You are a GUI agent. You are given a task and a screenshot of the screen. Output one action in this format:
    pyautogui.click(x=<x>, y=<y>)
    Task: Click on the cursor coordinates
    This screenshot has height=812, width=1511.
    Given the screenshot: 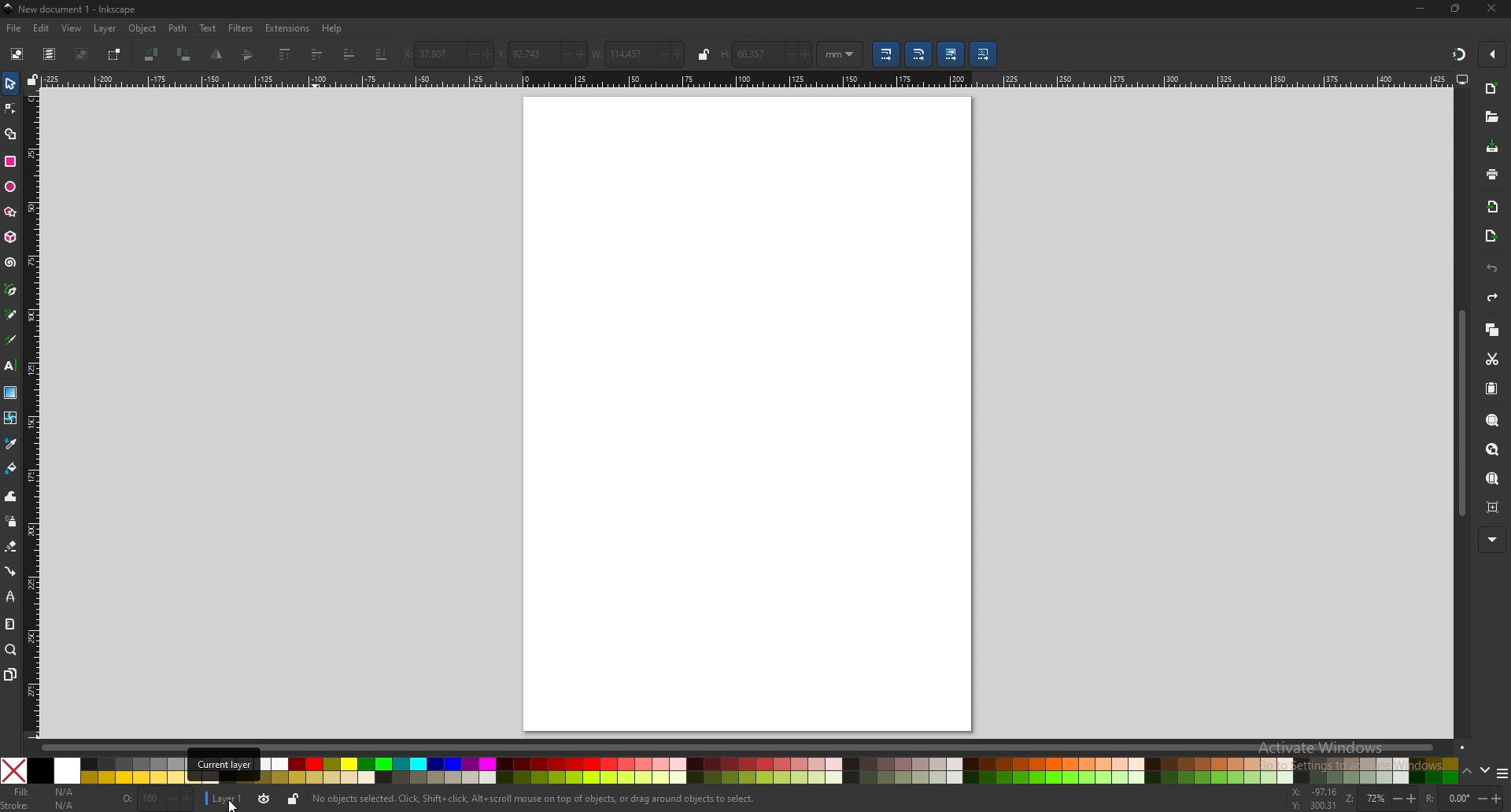 What is the action you would take?
    pyautogui.click(x=1313, y=797)
    